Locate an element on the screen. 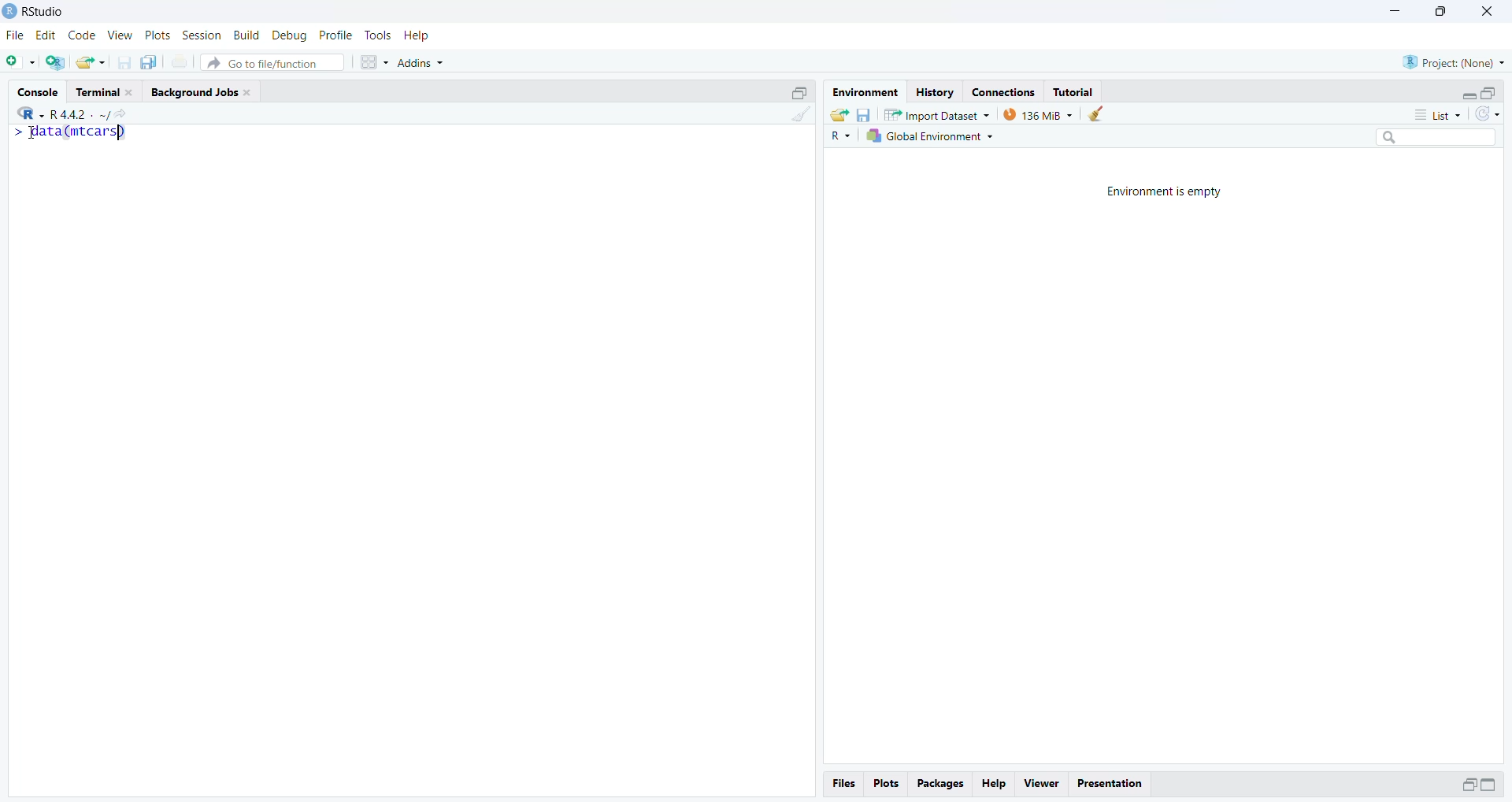  Open an existing file (Ctrl + O) is located at coordinates (92, 62).